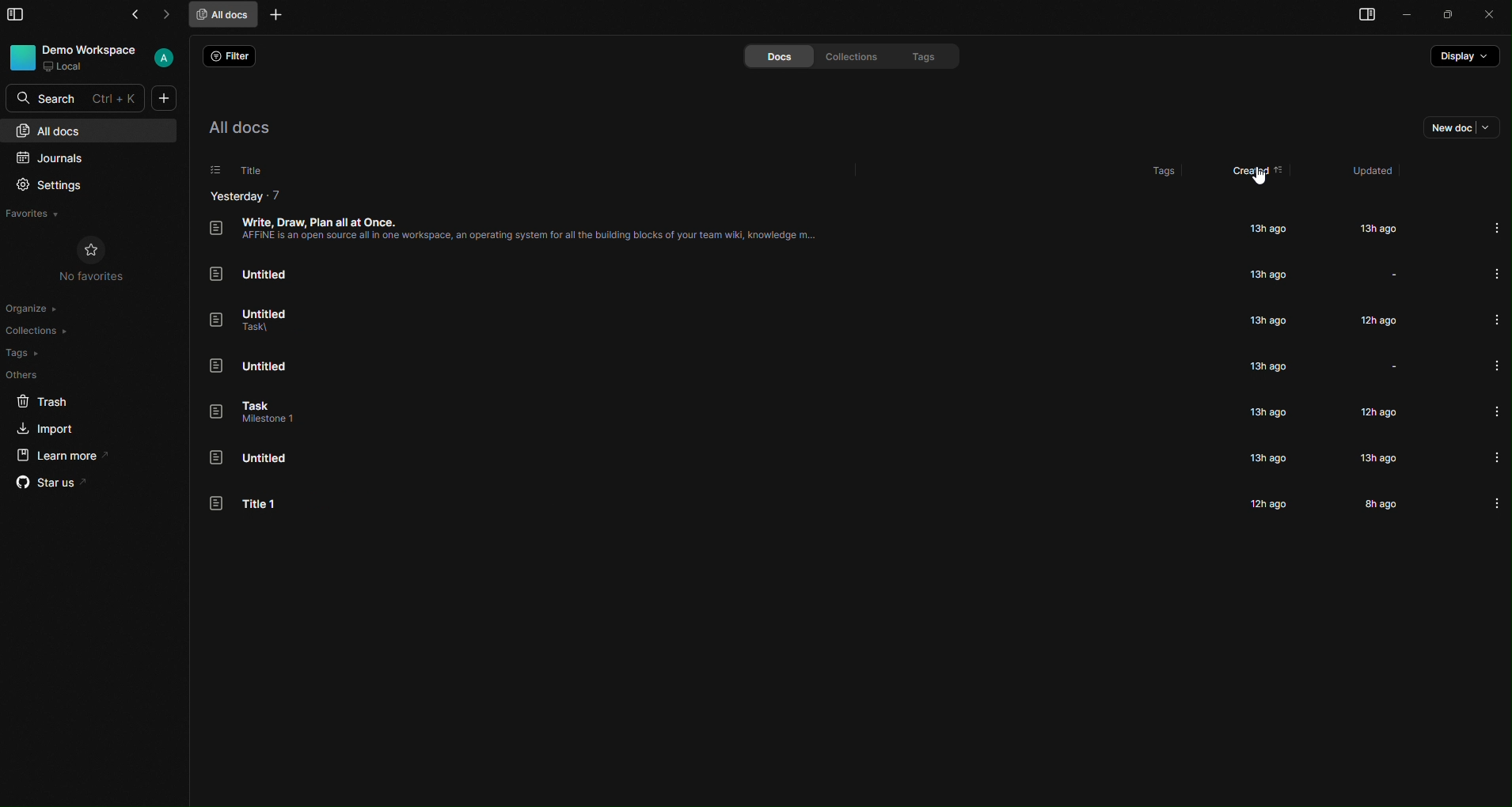  What do you see at coordinates (48, 429) in the screenshot?
I see `import` at bounding box center [48, 429].